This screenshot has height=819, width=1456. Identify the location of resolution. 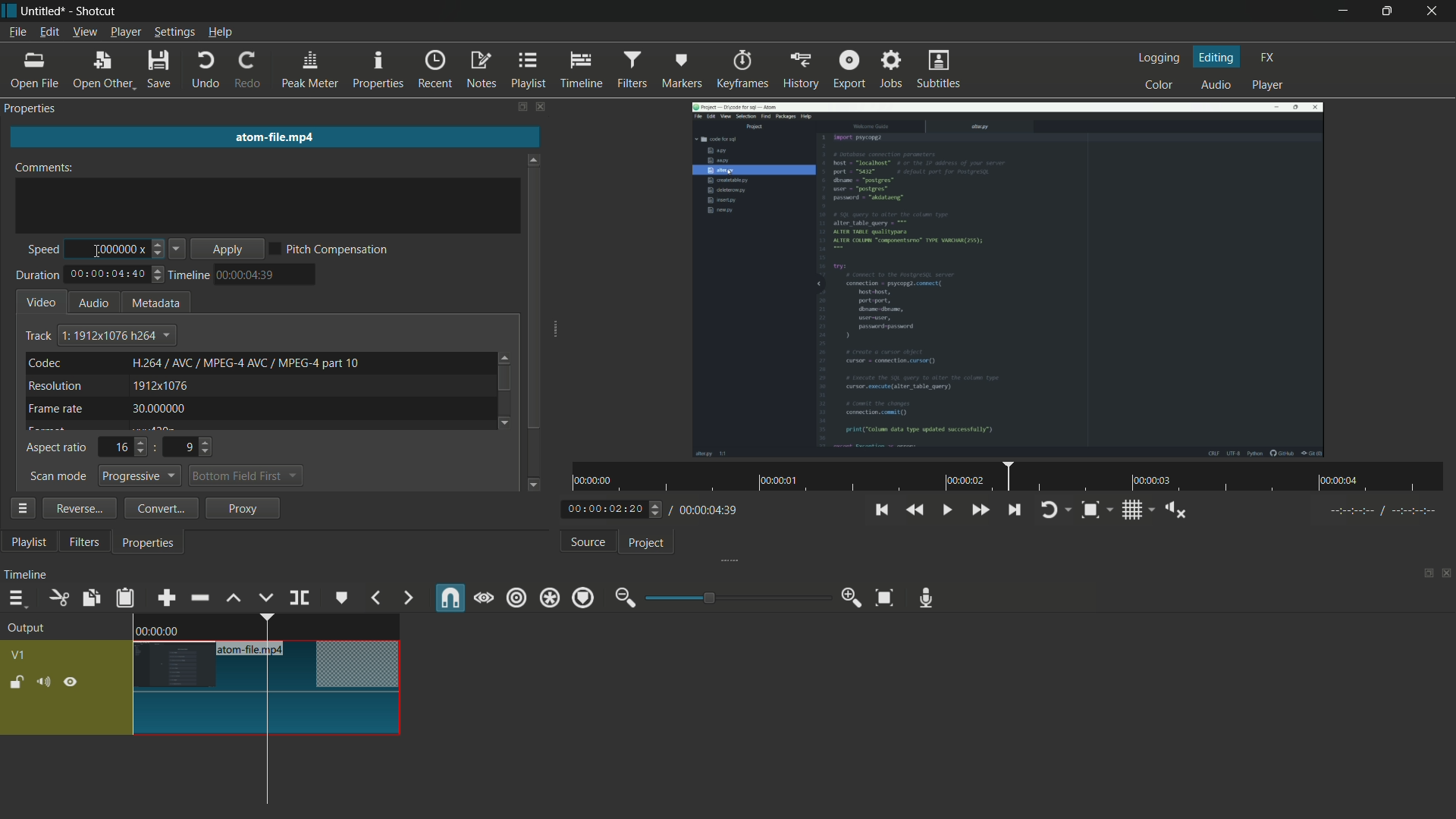
(55, 386).